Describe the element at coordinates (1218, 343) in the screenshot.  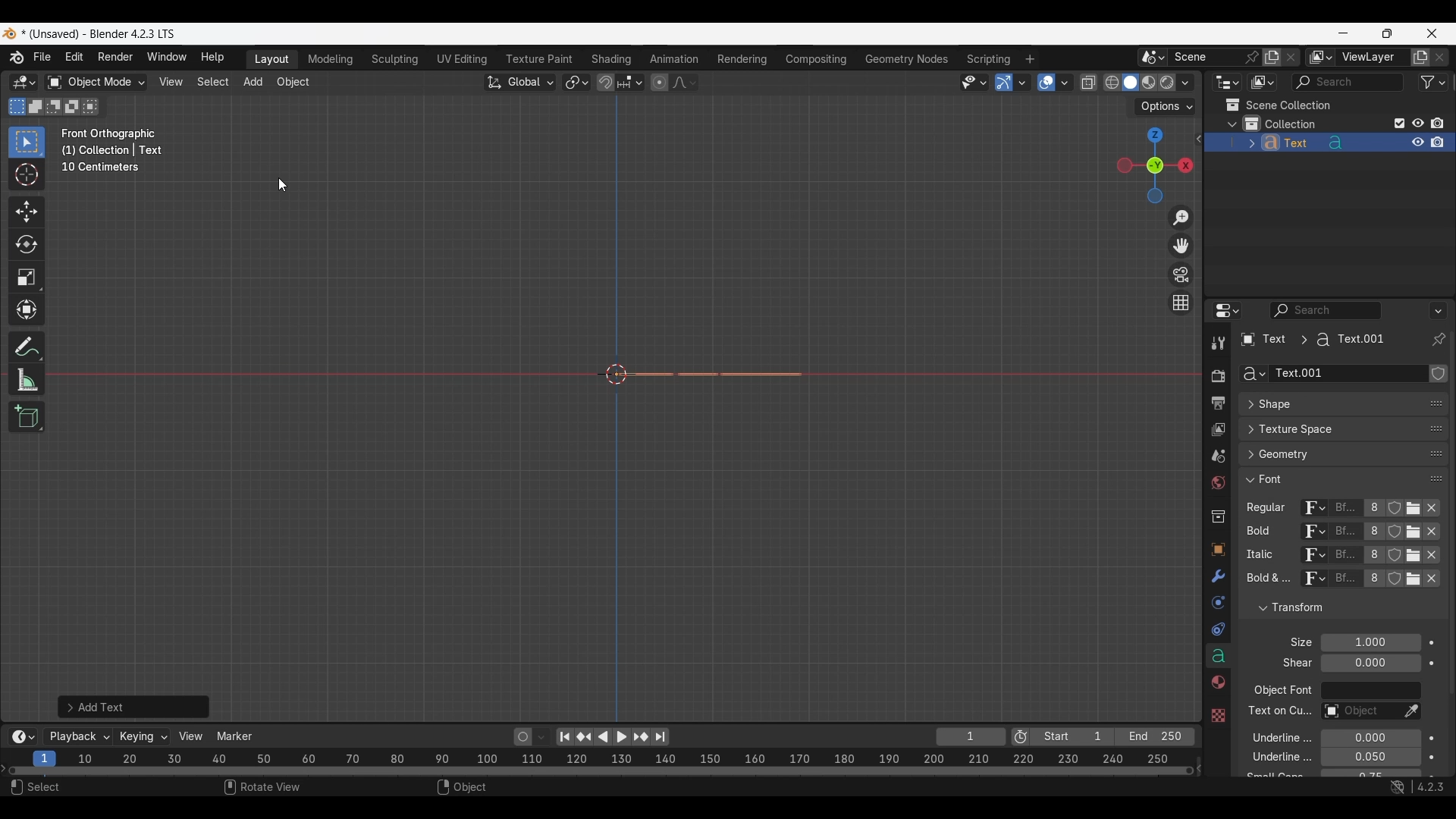
I see `Tool` at that location.